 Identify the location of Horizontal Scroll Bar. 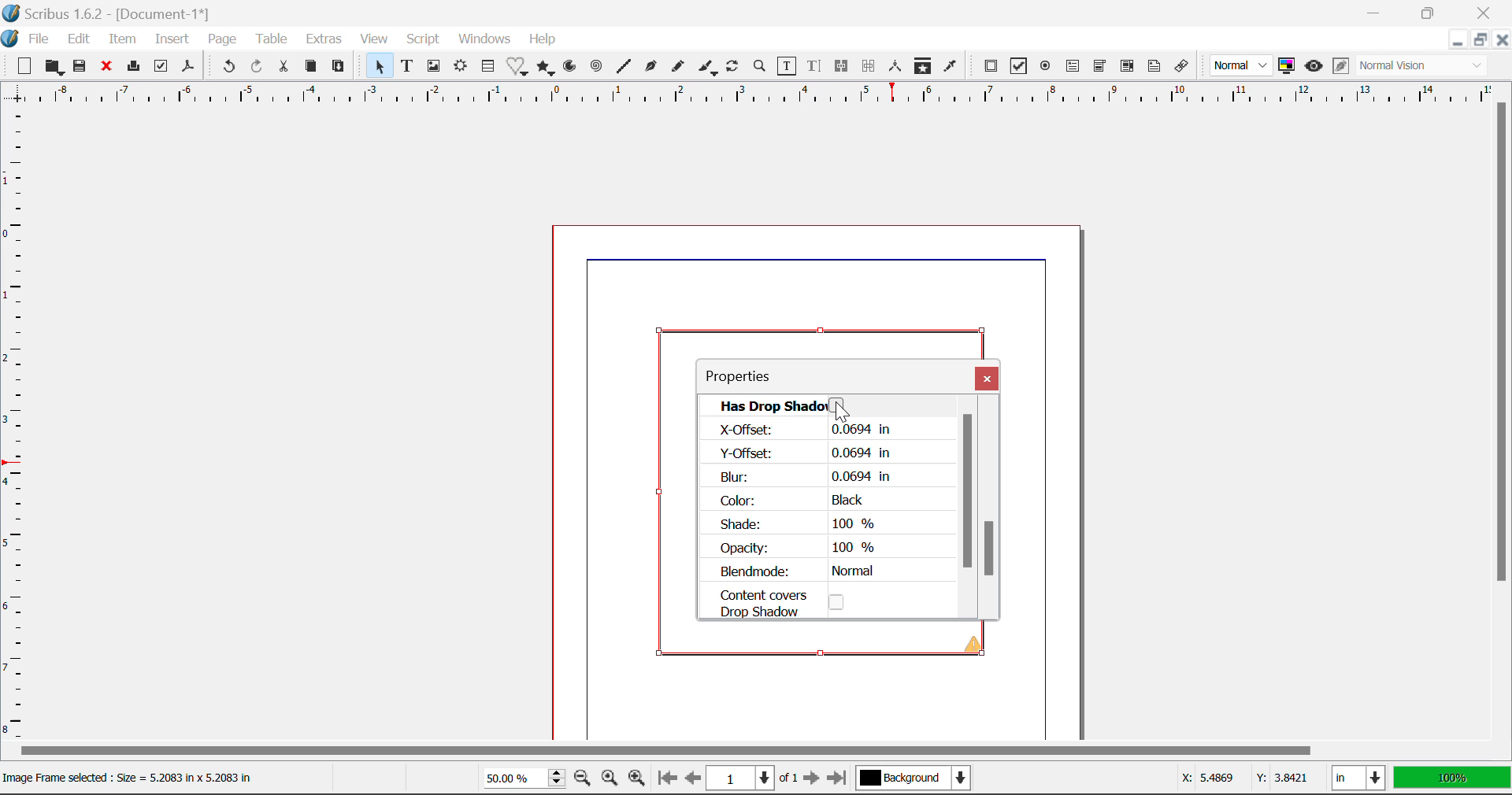
(736, 751).